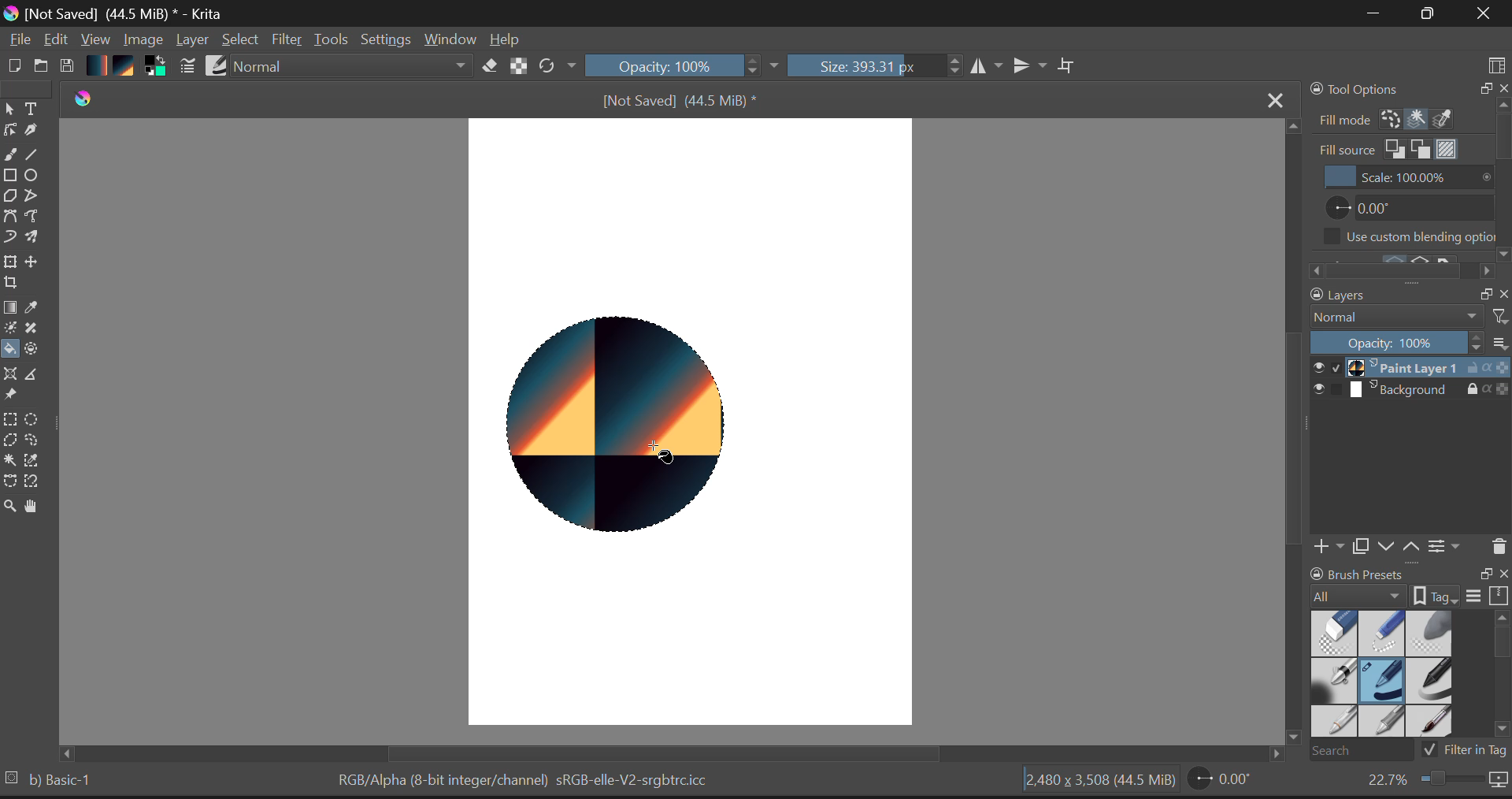 This screenshot has width=1512, height=799. What do you see at coordinates (14, 350) in the screenshot?
I see `Cursor on Fill` at bounding box center [14, 350].